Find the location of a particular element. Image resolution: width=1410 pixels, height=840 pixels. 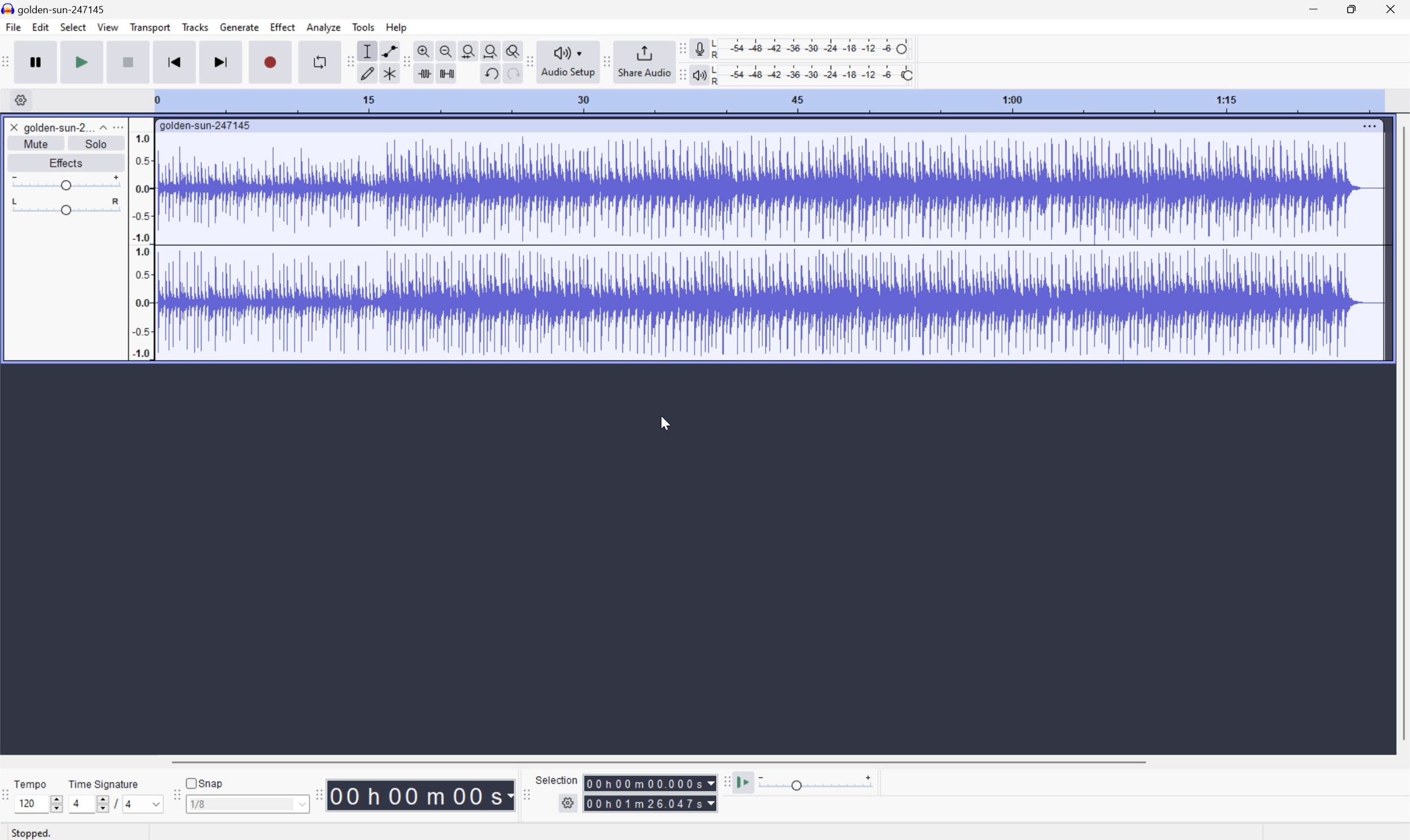

Zoom out is located at coordinates (446, 50).